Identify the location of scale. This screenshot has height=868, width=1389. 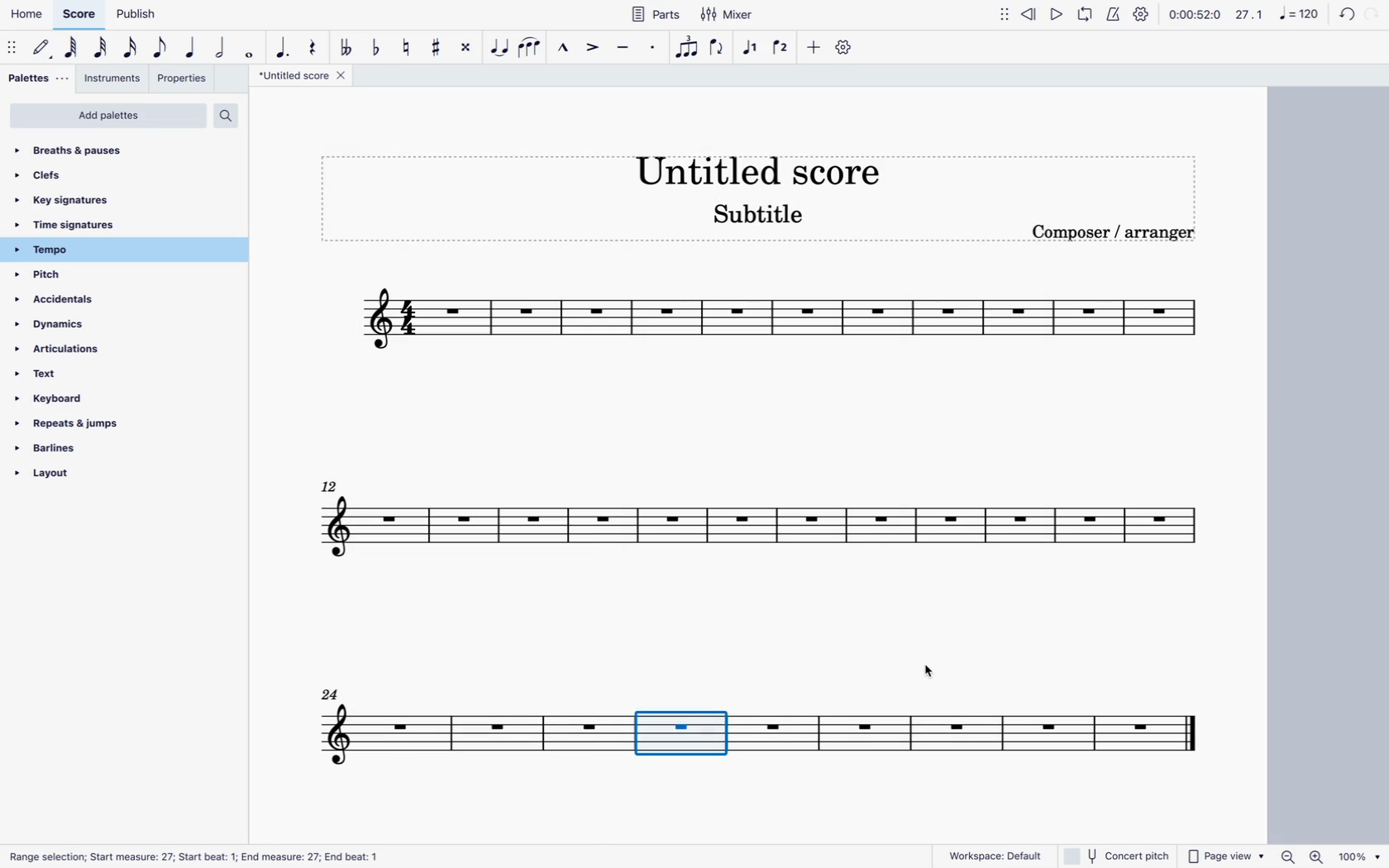
(1277, 15).